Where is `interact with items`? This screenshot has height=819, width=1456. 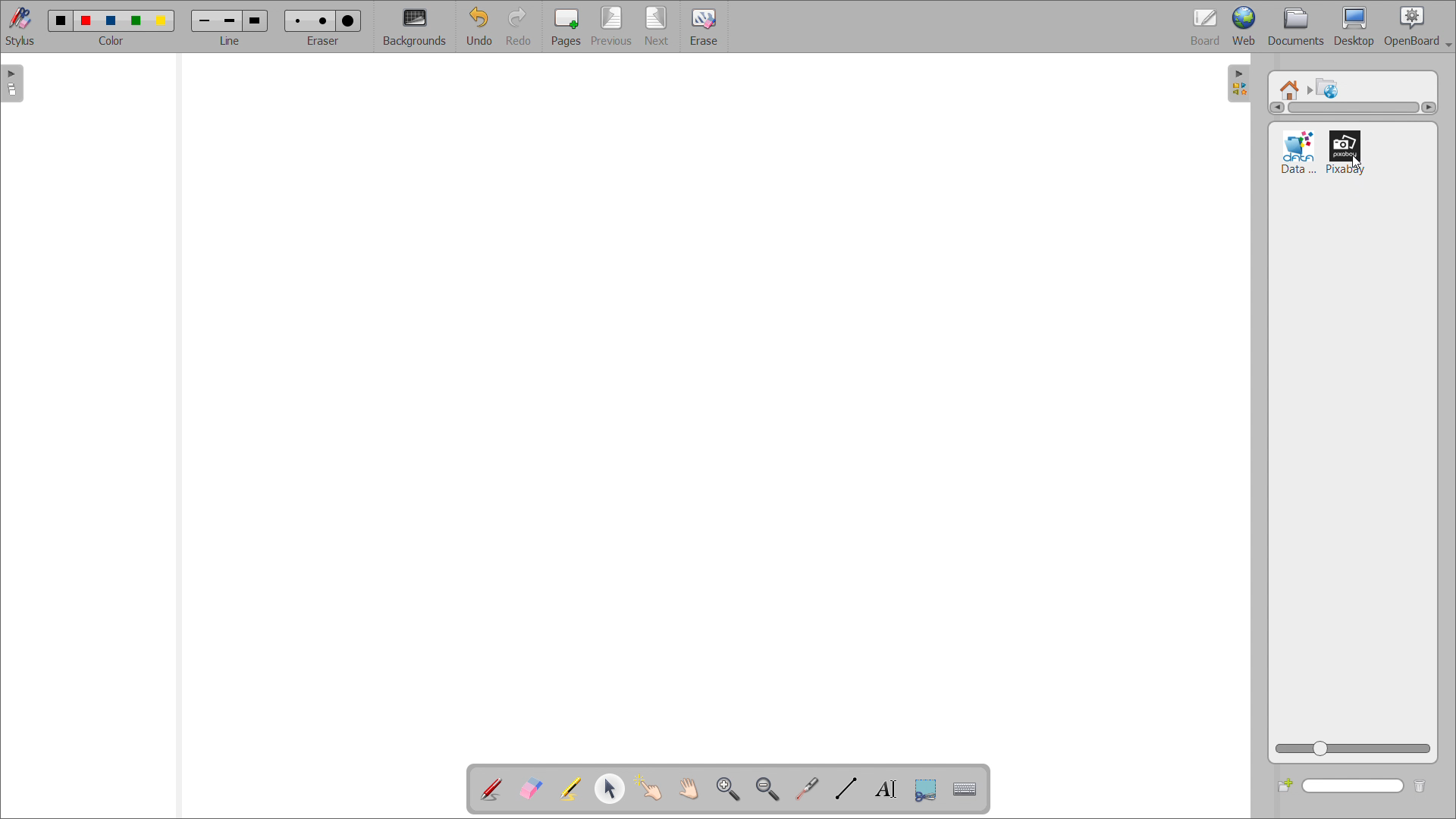
interact with items is located at coordinates (649, 788).